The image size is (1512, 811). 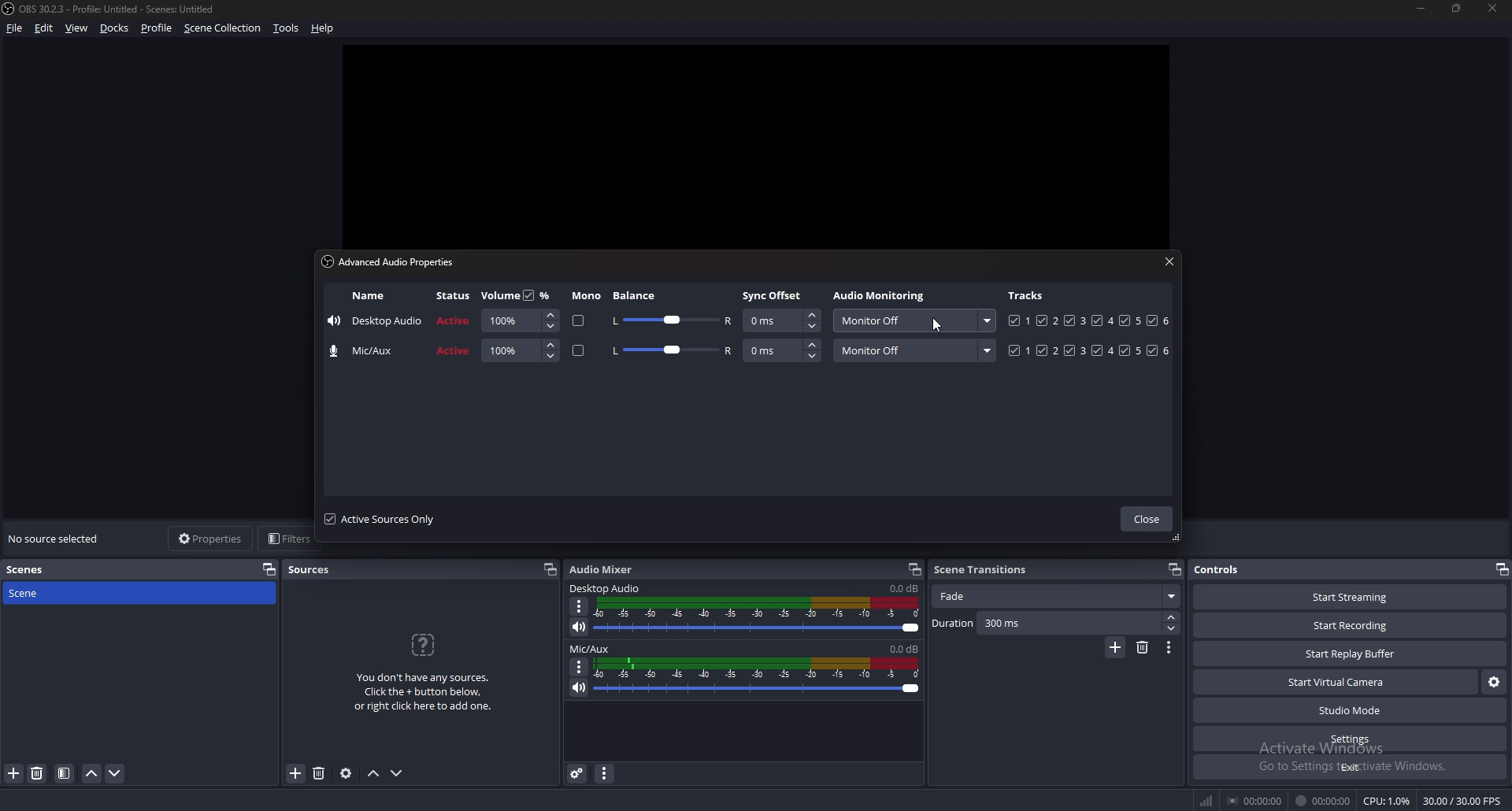 What do you see at coordinates (41, 568) in the screenshot?
I see `scenes` at bounding box center [41, 568].